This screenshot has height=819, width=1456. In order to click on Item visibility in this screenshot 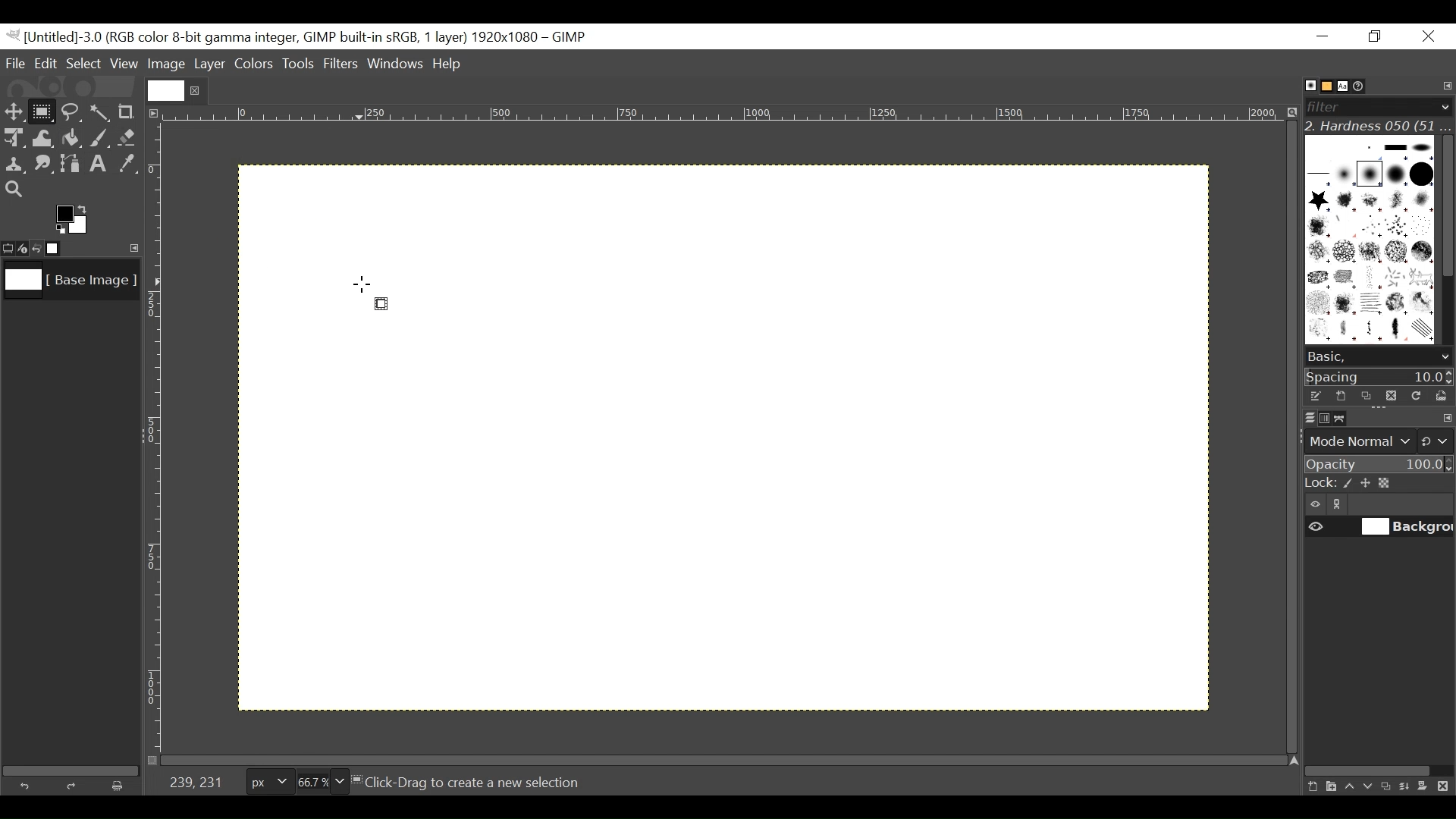, I will do `click(1316, 505)`.